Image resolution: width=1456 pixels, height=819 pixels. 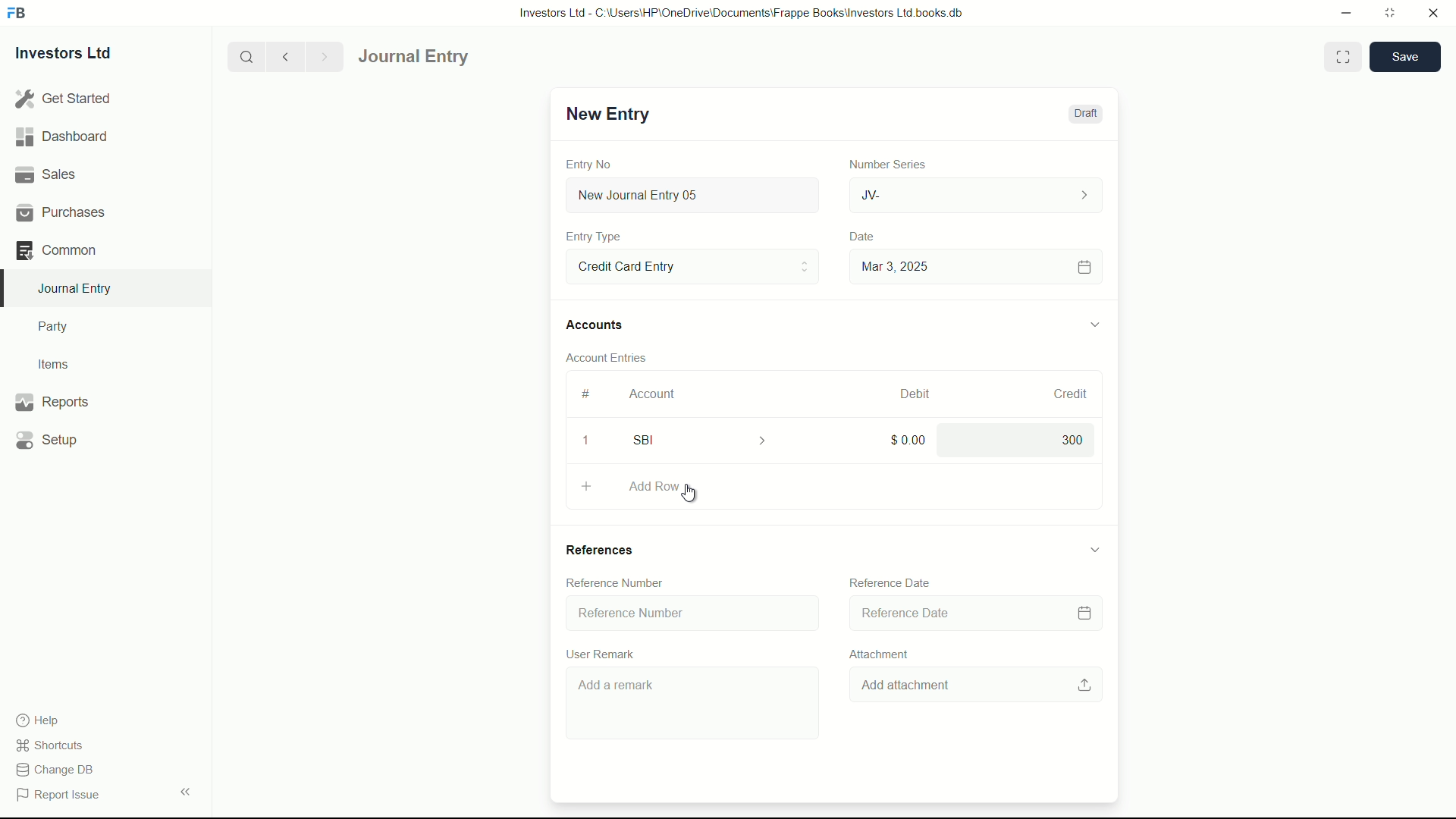 What do you see at coordinates (691, 265) in the screenshot?
I see `Entry Type` at bounding box center [691, 265].